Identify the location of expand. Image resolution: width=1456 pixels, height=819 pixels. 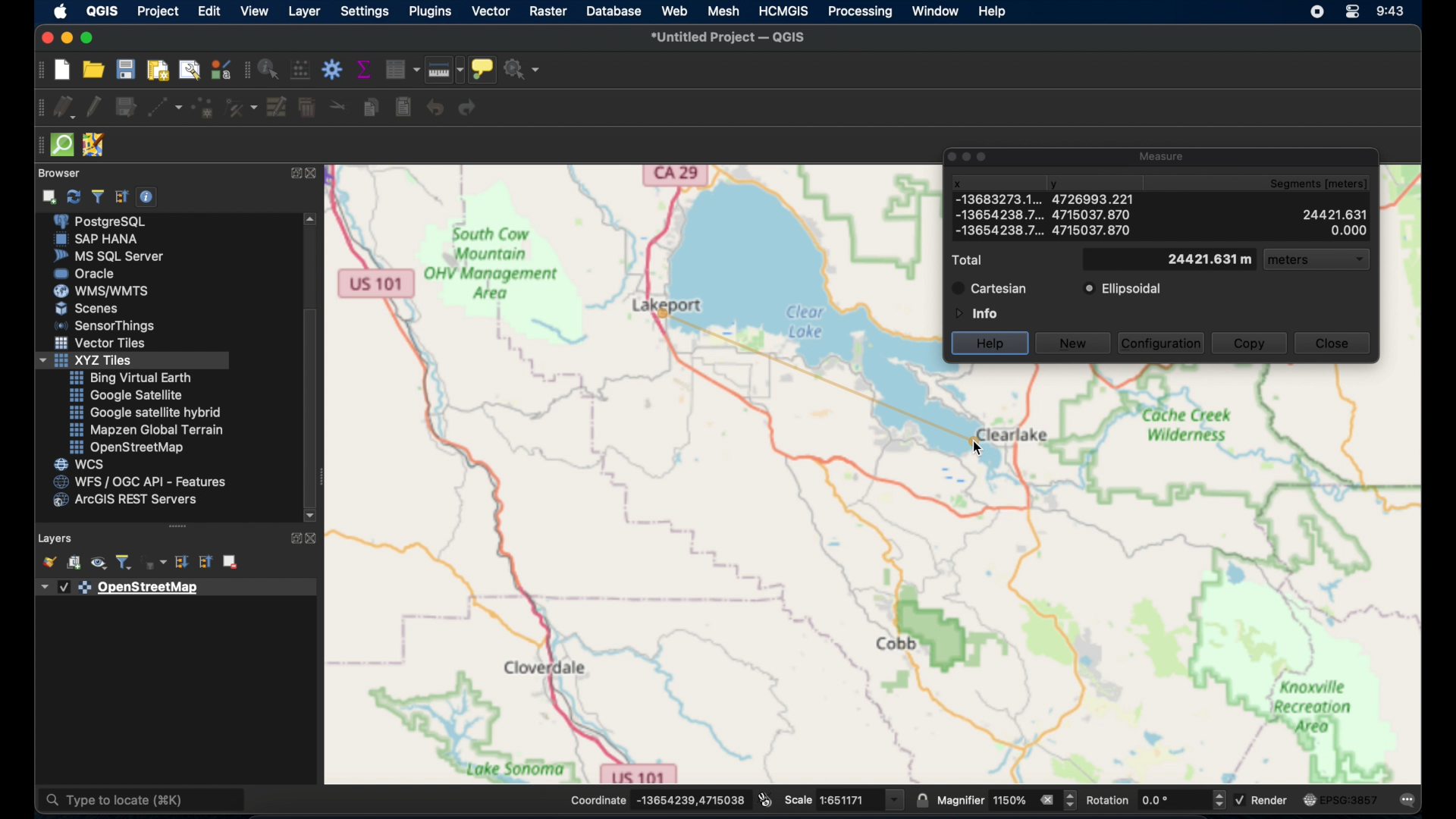
(293, 538).